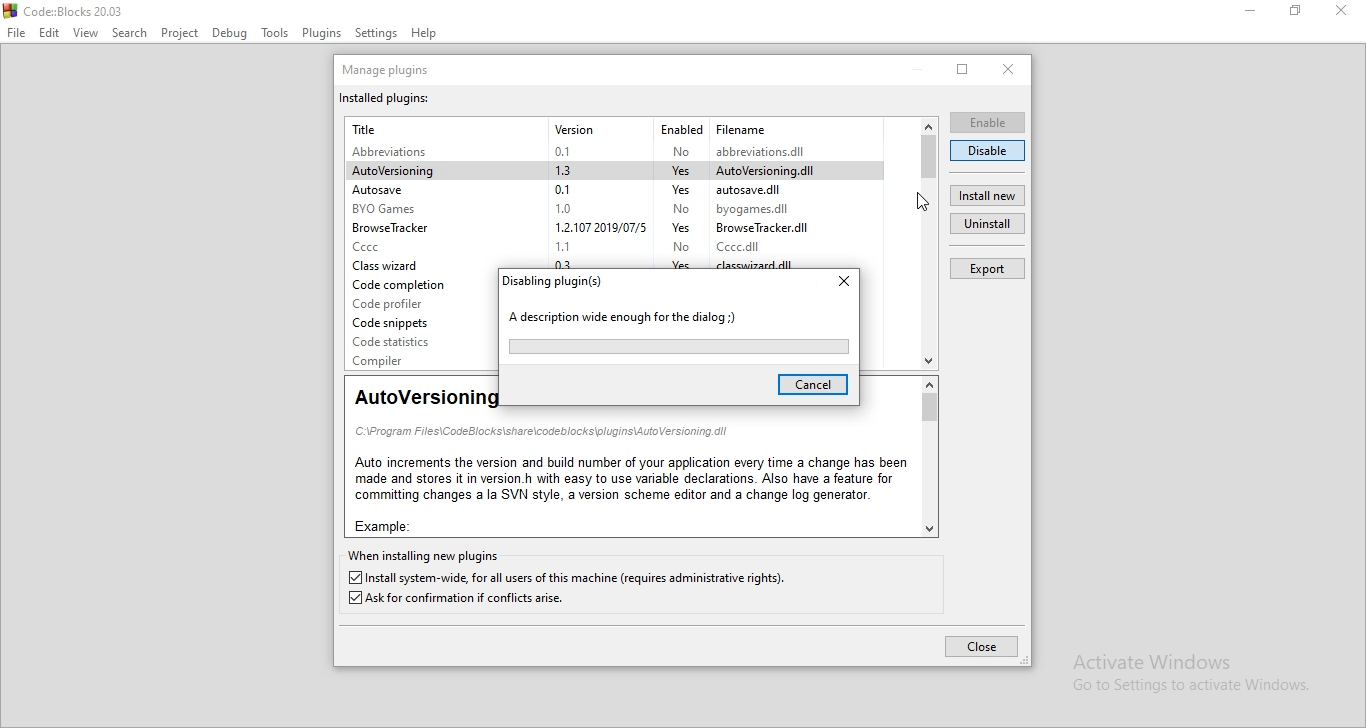 This screenshot has width=1366, height=728. What do you see at coordinates (15, 33) in the screenshot?
I see `File` at bounding box center [15, 33].